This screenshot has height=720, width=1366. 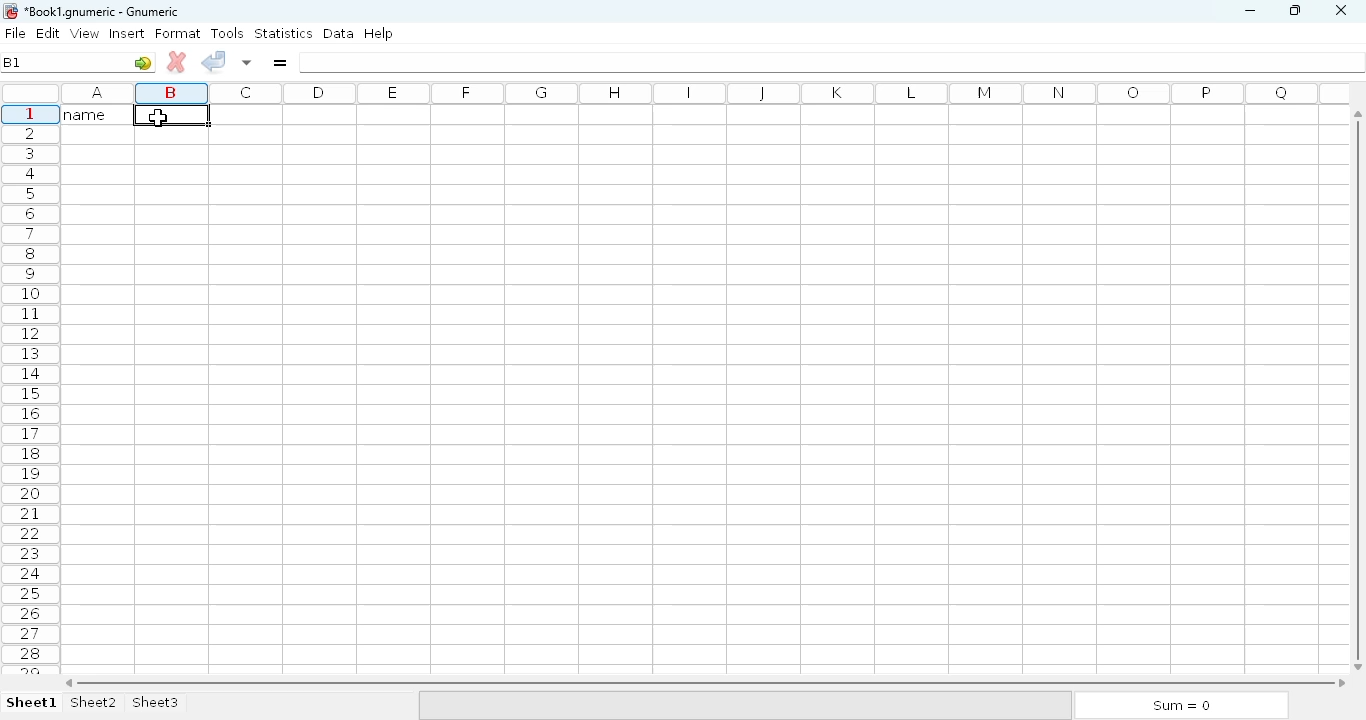 I want to click on close, so click(x=1340, y=11).